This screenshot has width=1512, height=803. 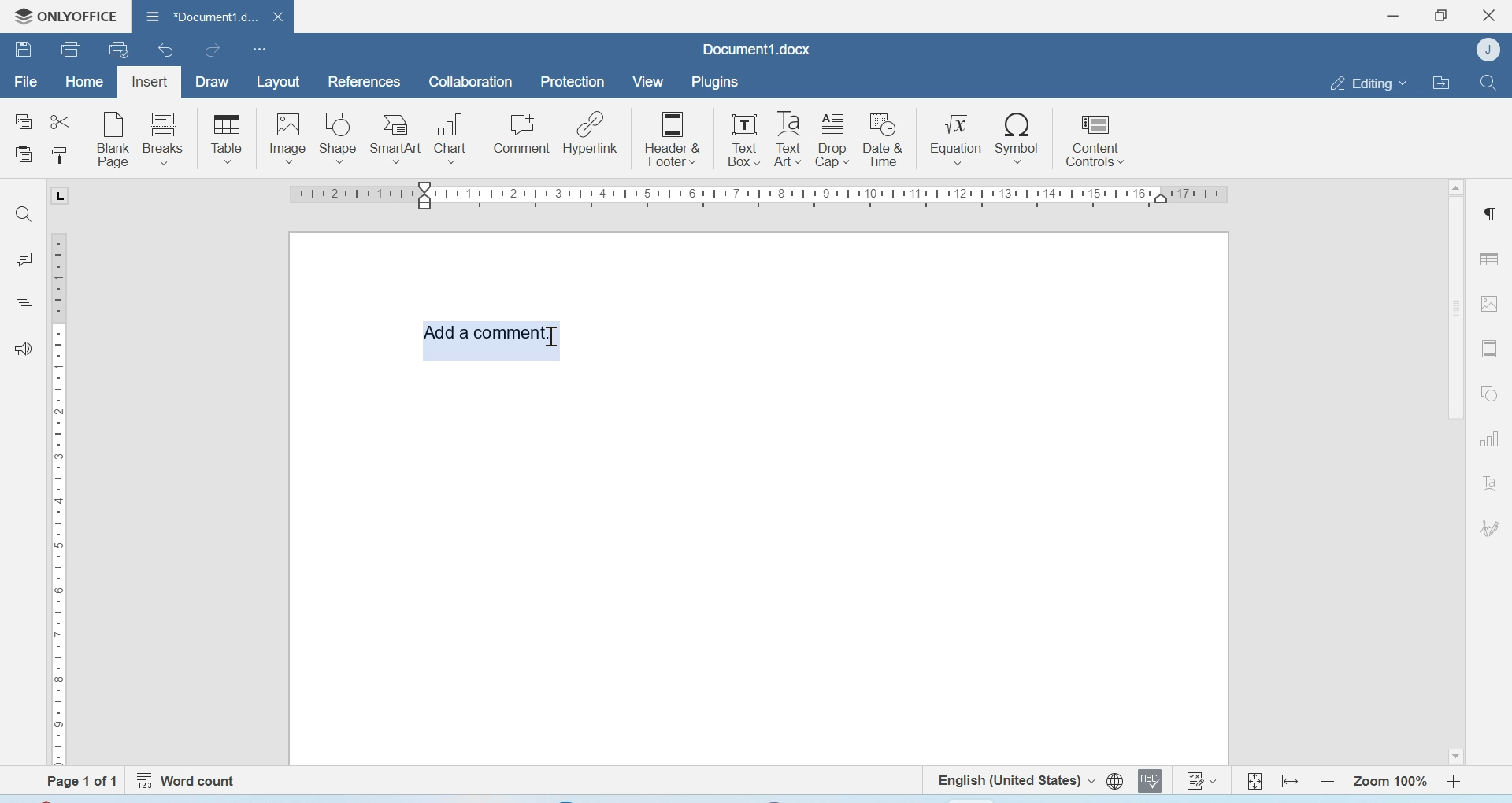 What do you see at coordinates (1488, 213) in the screenshot?
I see `Paragraph settings` at bounding box center [1488, 213].